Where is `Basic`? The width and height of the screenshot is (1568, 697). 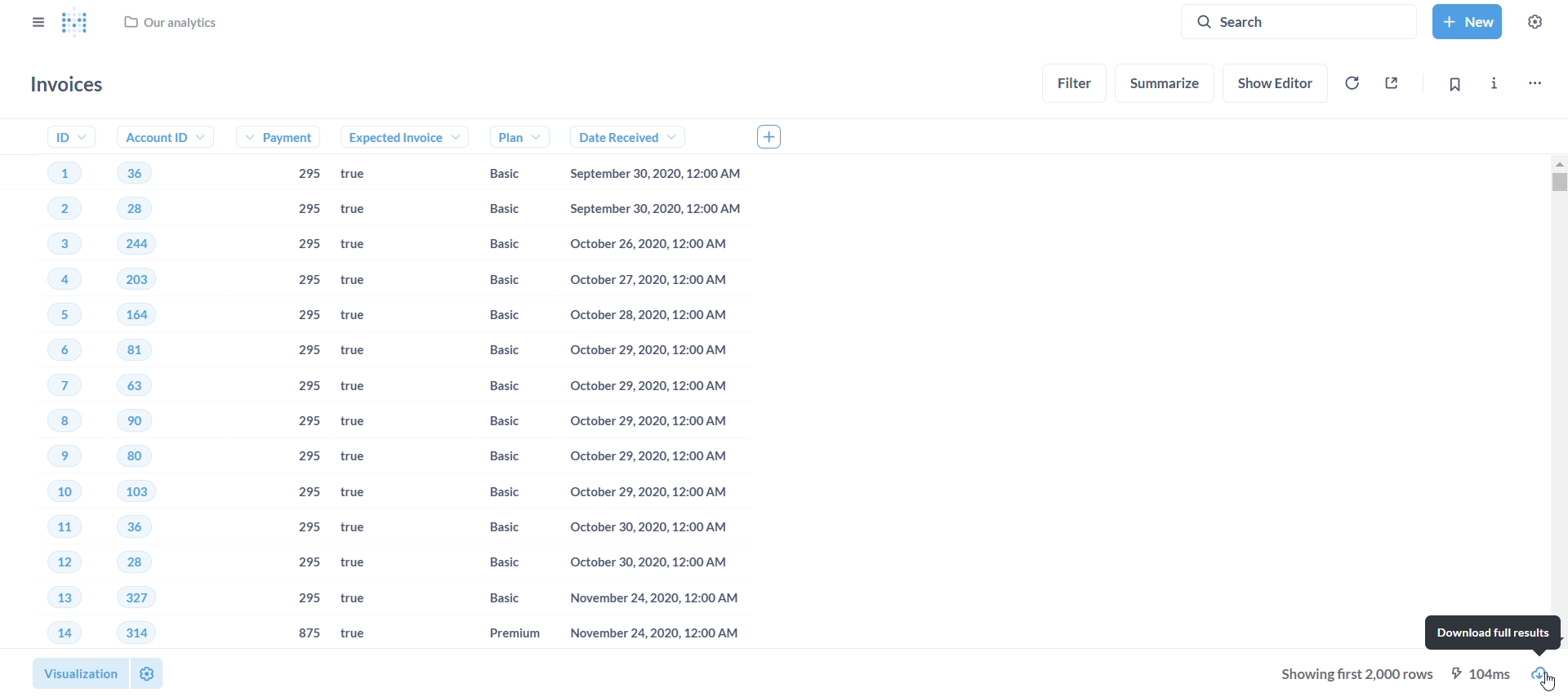
Basic is located at coordinates (491, 245).